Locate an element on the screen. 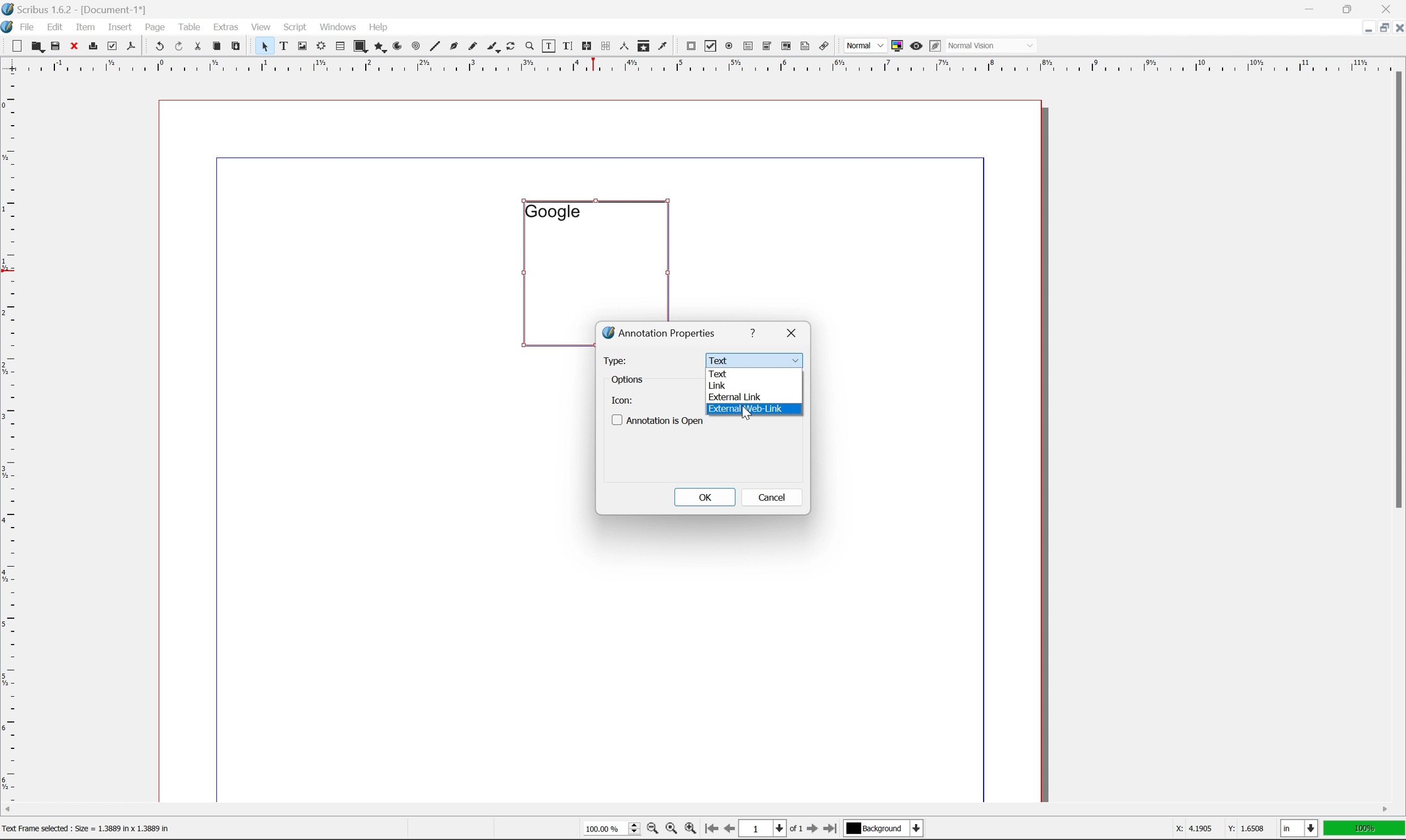 This screenshot has height=840, width=1406. link is located at coordinates (715, 384).